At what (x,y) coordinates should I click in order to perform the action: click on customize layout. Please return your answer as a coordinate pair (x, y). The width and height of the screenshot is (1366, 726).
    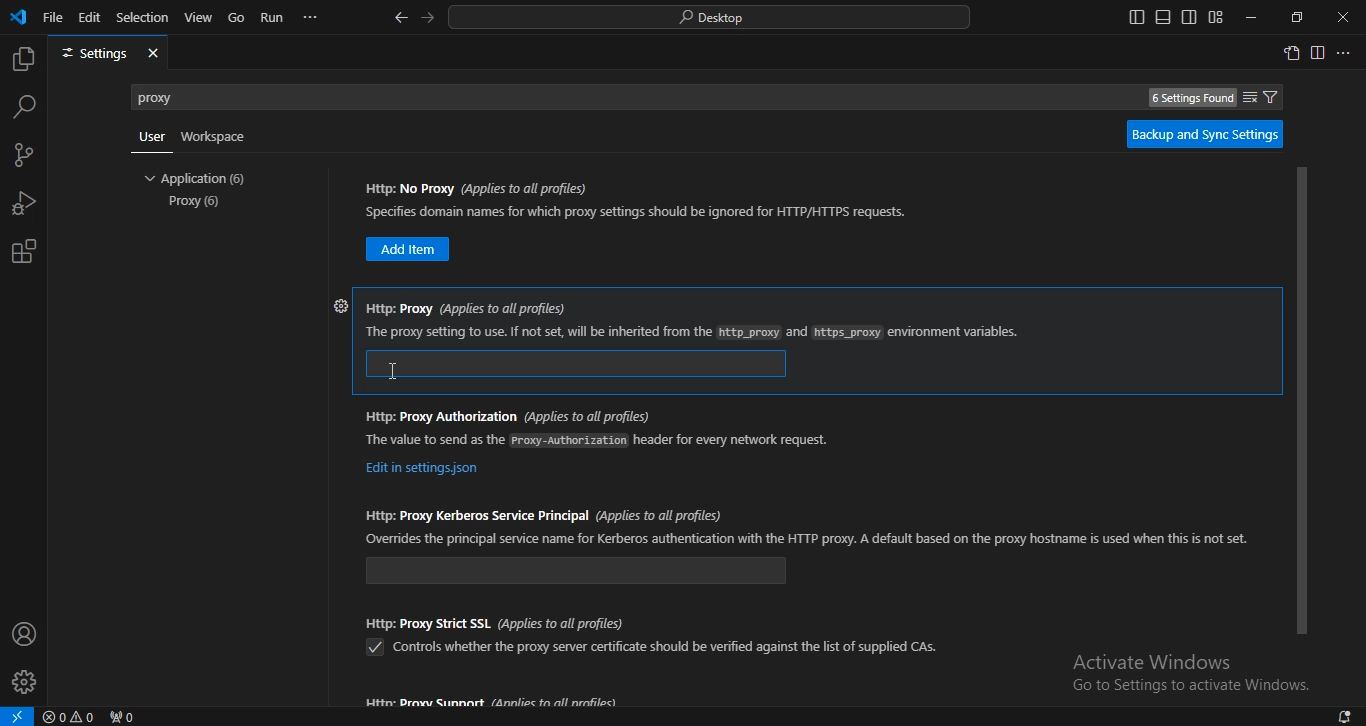
    Looking at the image, I should click on (1217, 16).